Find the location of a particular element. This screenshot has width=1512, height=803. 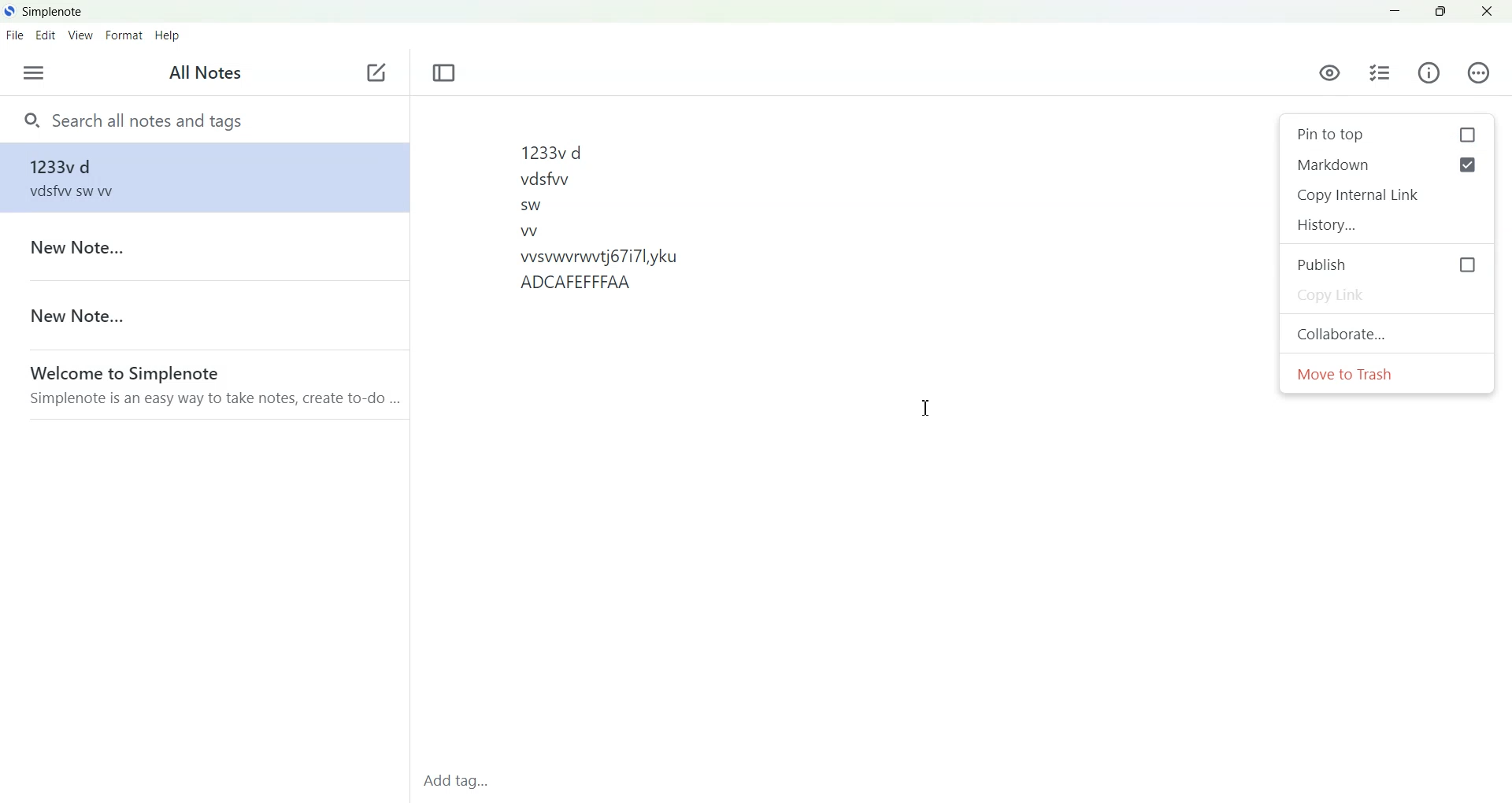

All Notes is located at coordinates (201, 74).